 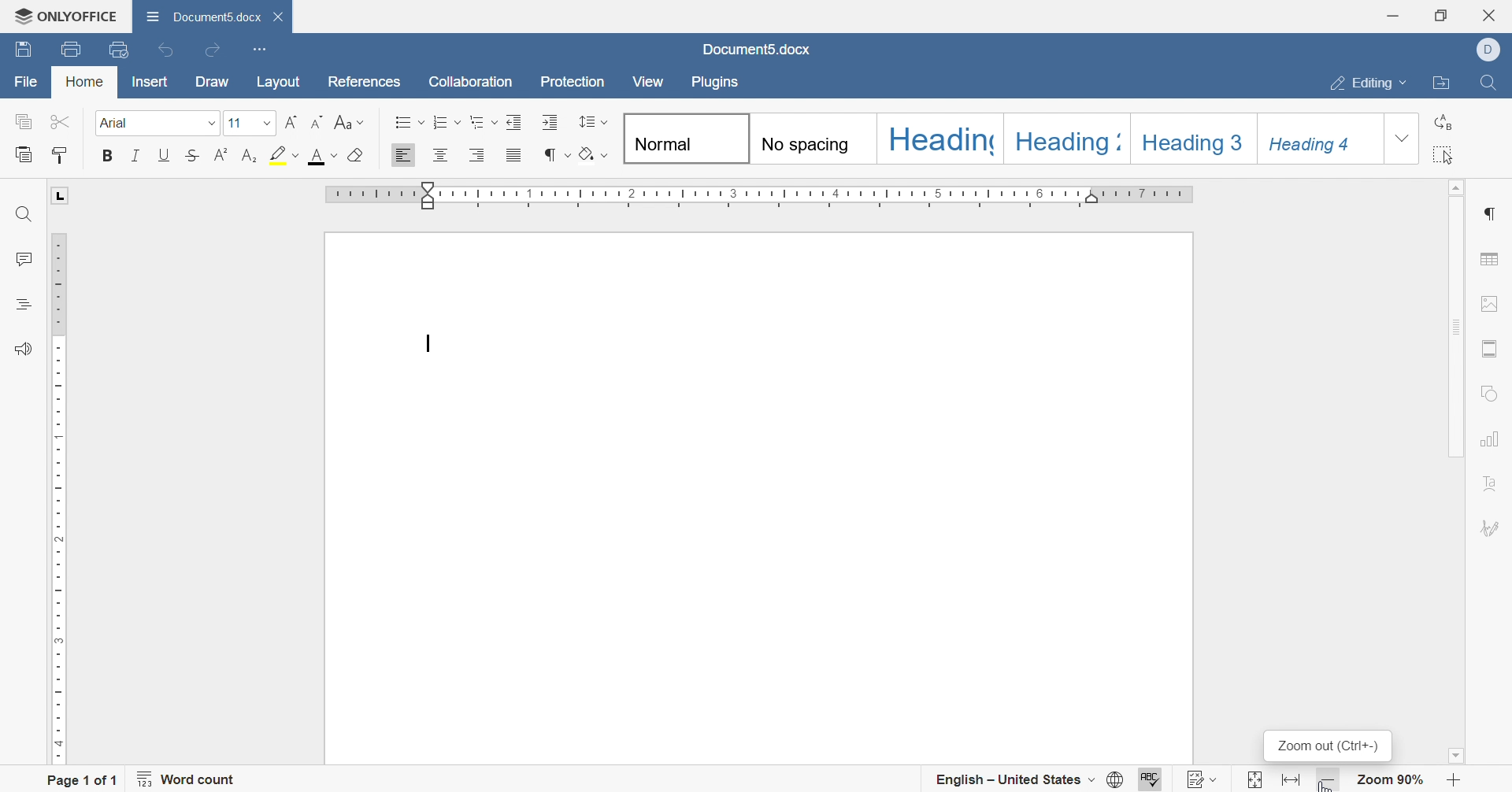 What do you see at coordinates (757, 194) in the screenshot?
I see `ruler` at bounding box center [757, 194].